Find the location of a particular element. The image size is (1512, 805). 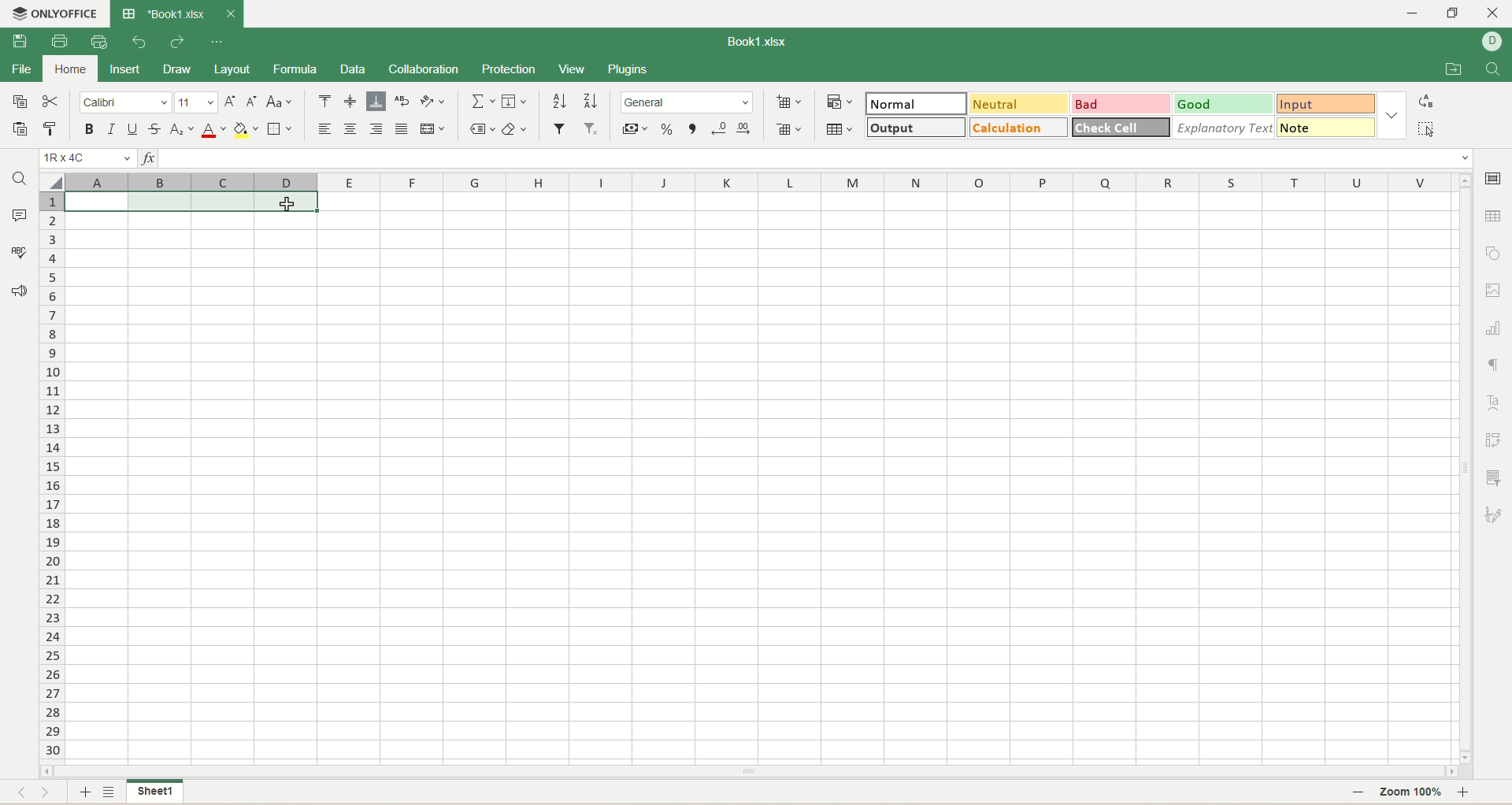

quick print is located at coordinates (99, 42).